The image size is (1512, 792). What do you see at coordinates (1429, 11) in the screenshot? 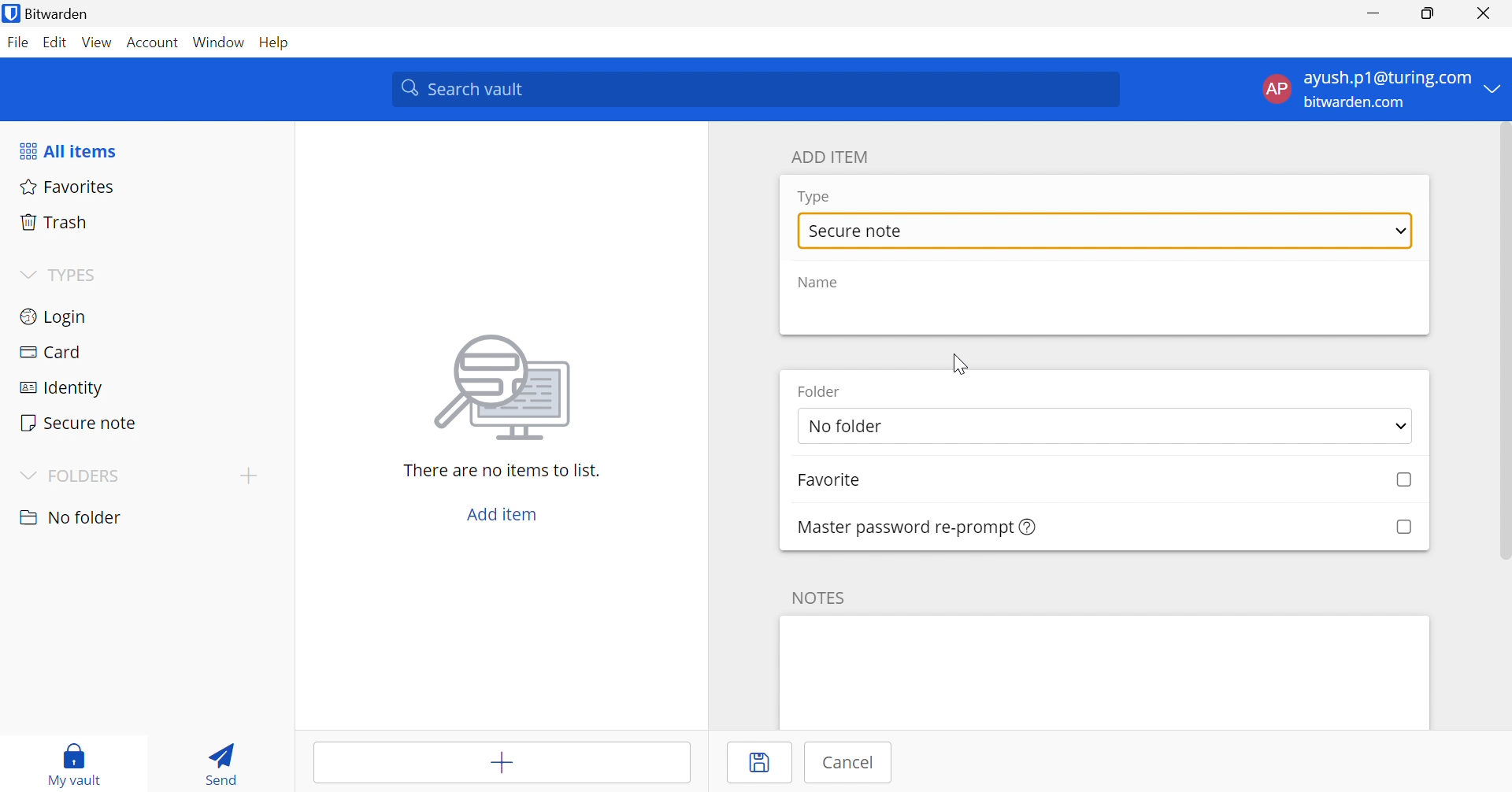
I see `Restore Down` at bounding box center [1429, 11].